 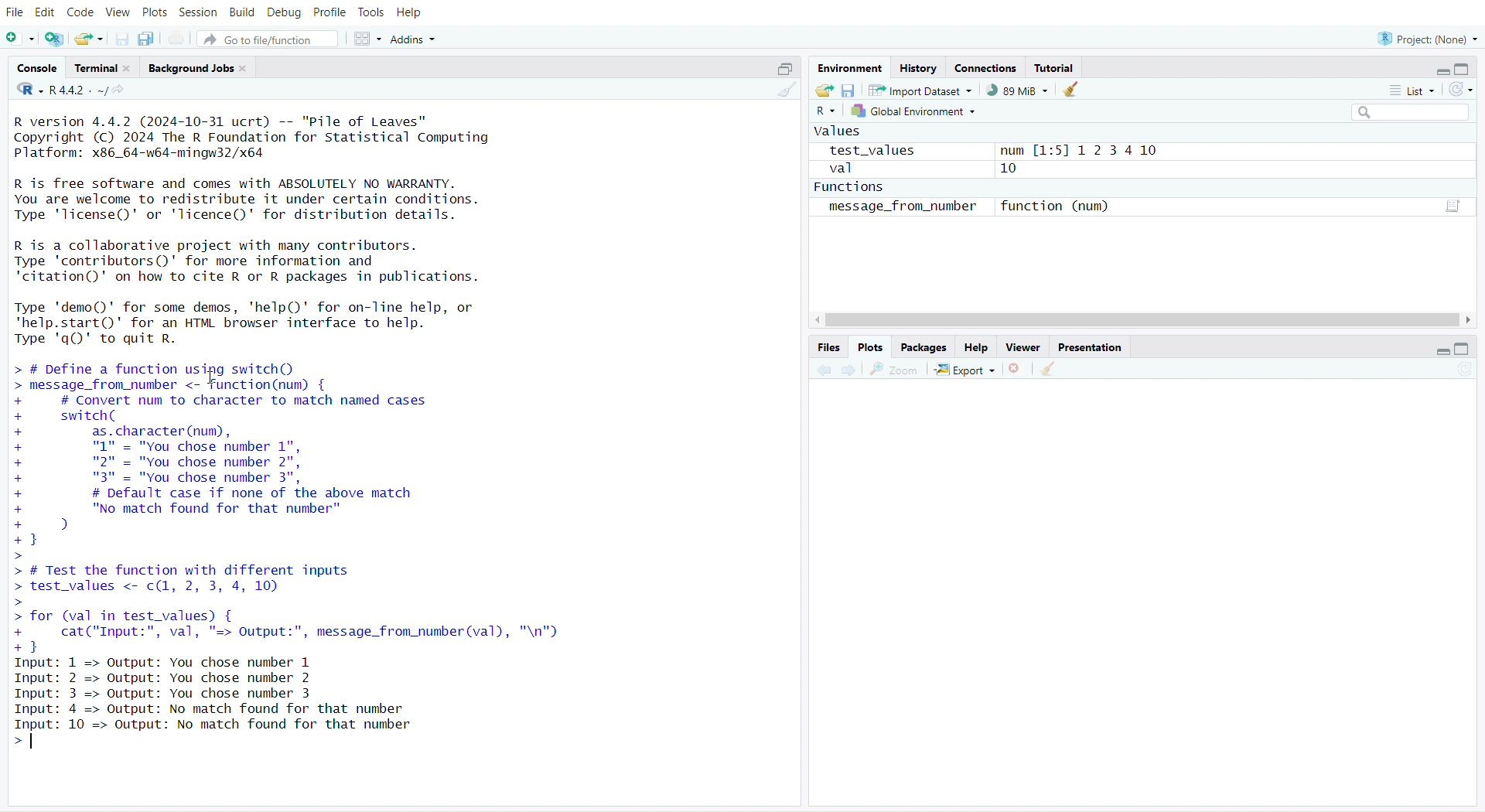 I want to click on File, so click(x=14, y=14).